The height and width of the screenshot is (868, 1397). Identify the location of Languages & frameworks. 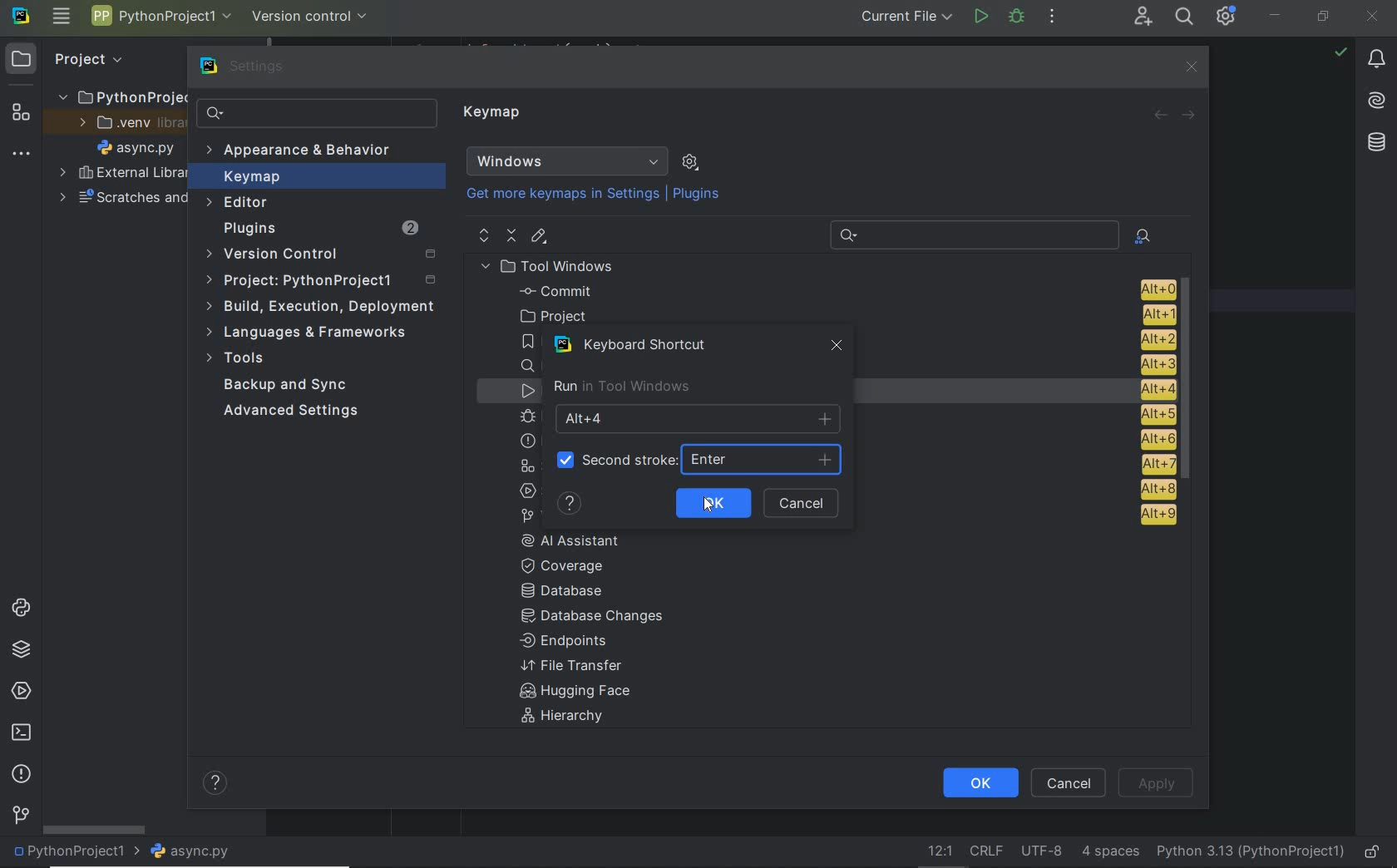
(310, 334).